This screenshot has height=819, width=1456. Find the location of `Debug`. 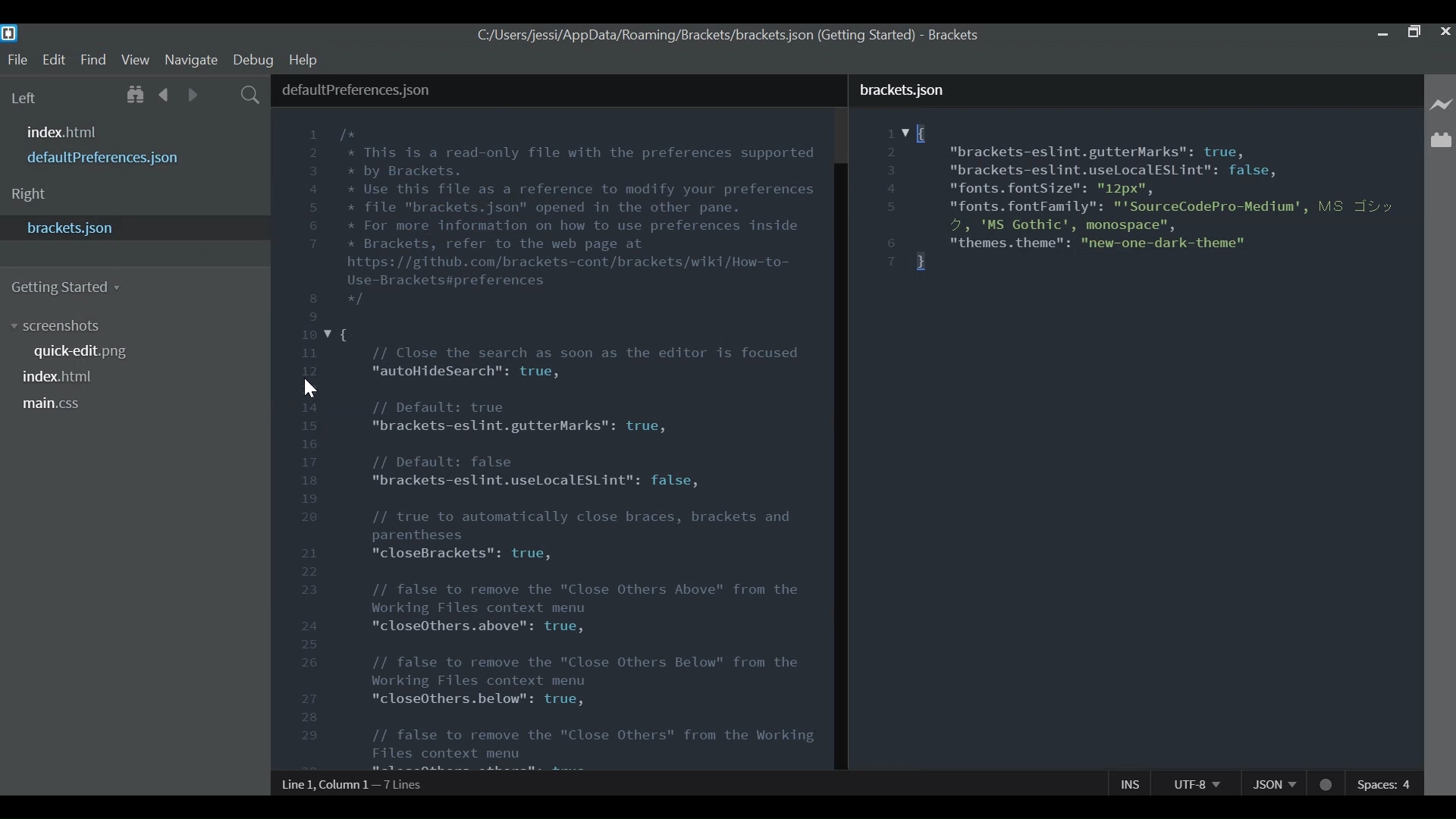

Debug is located at coordinates (254, 60).